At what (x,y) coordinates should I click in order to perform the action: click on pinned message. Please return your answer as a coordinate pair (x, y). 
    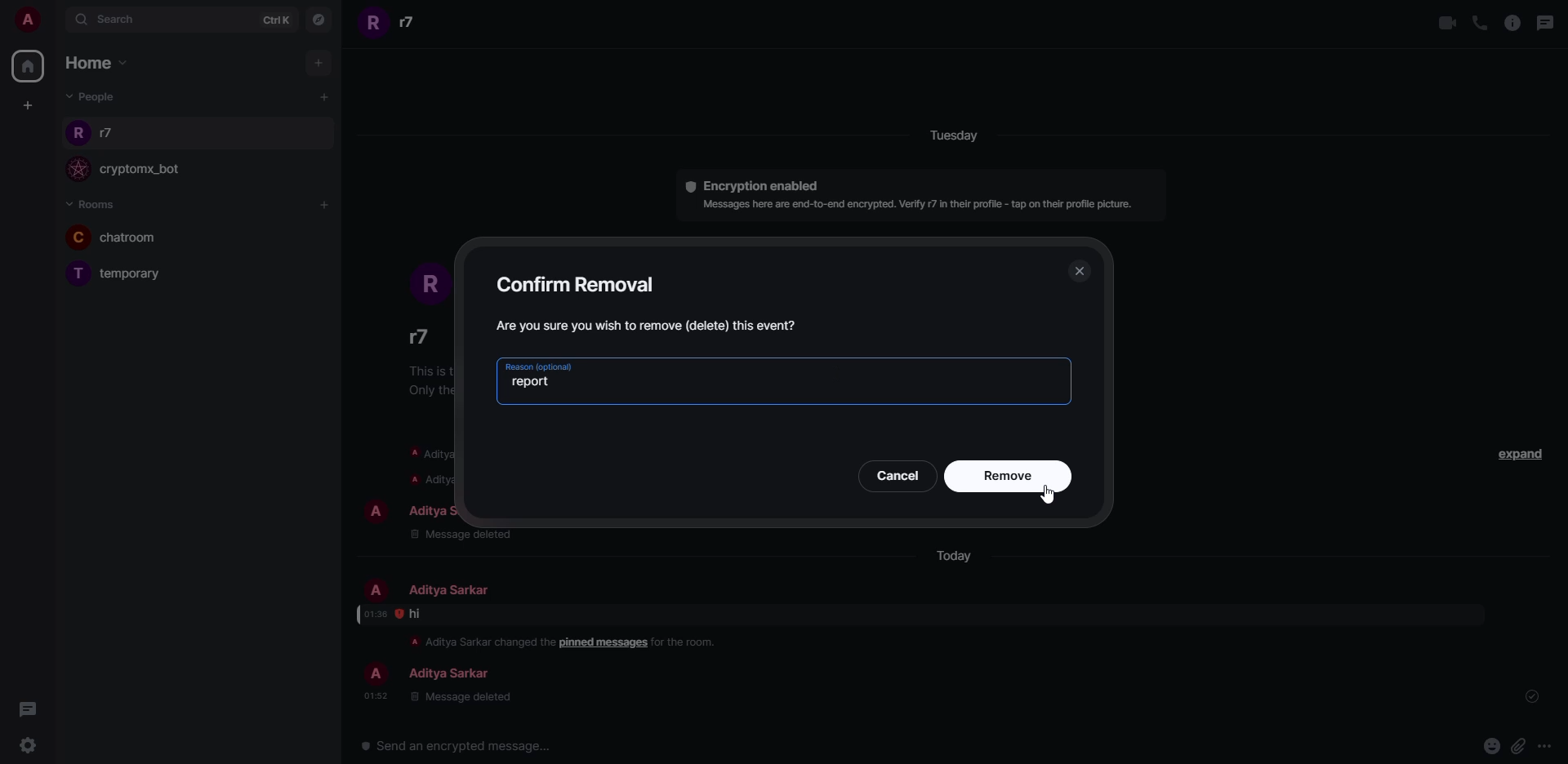
    Looking at the image, I should click on (604, 643).